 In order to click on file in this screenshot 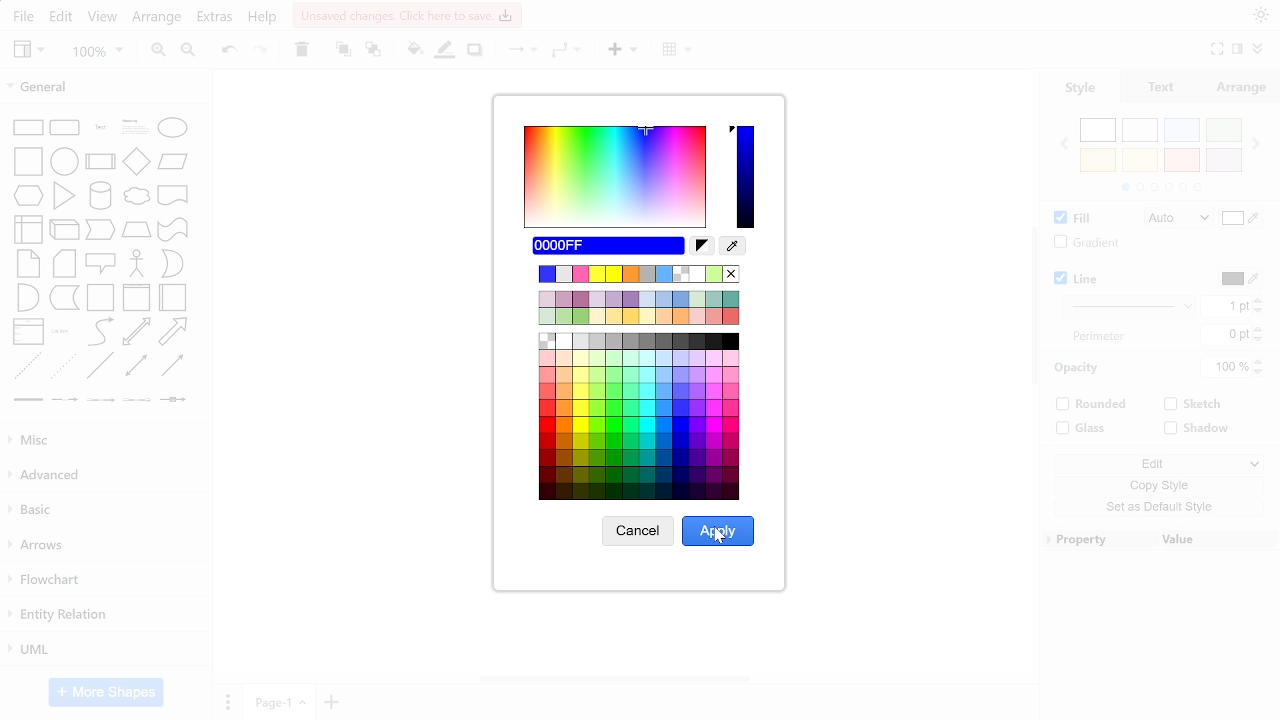, I will do `click(23, 18)`.